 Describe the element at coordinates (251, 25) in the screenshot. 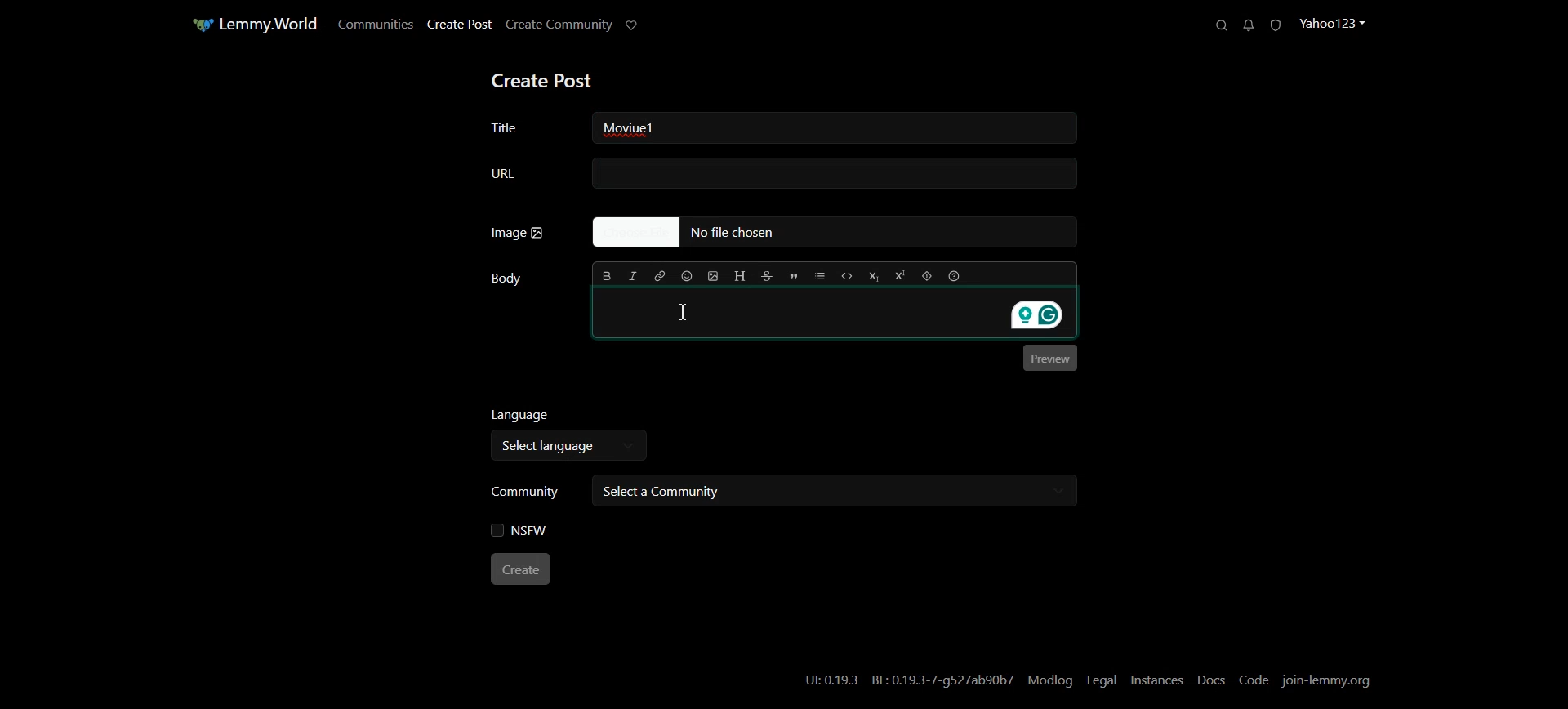

I see `Home Page` at that location.